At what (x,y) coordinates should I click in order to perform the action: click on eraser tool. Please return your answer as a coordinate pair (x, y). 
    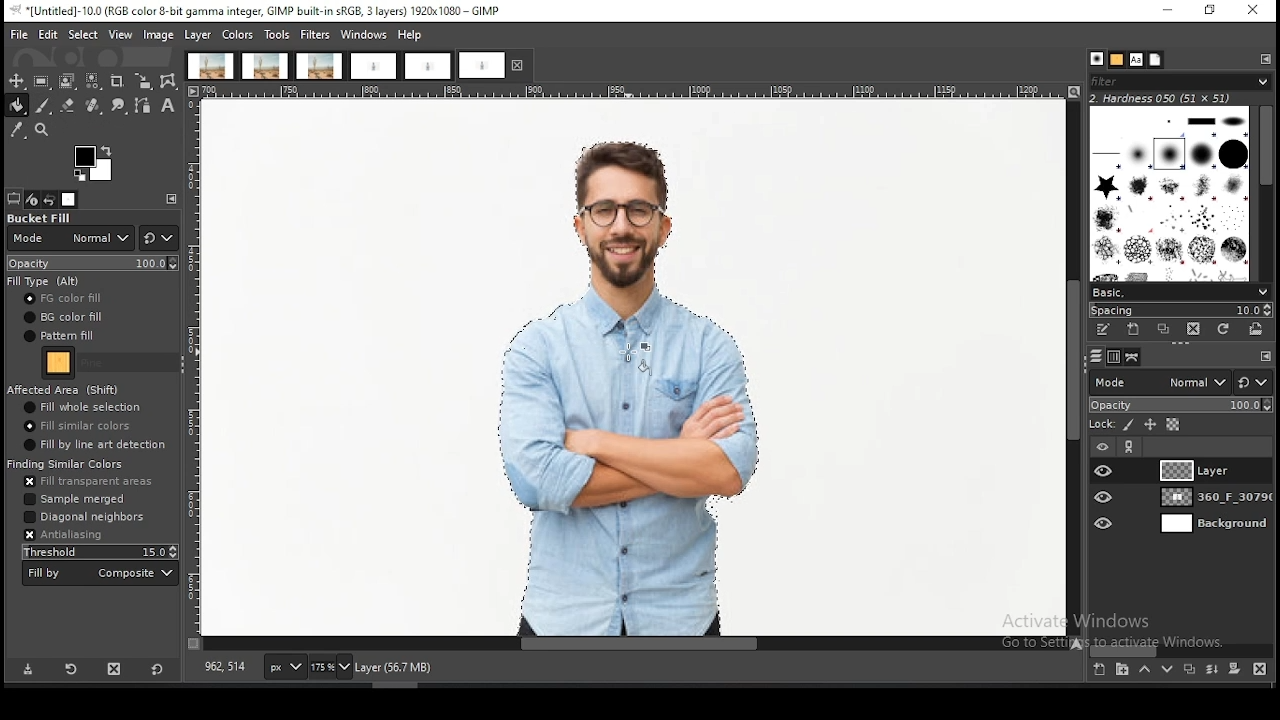
    Looking at the image, I should click on (68, 105).